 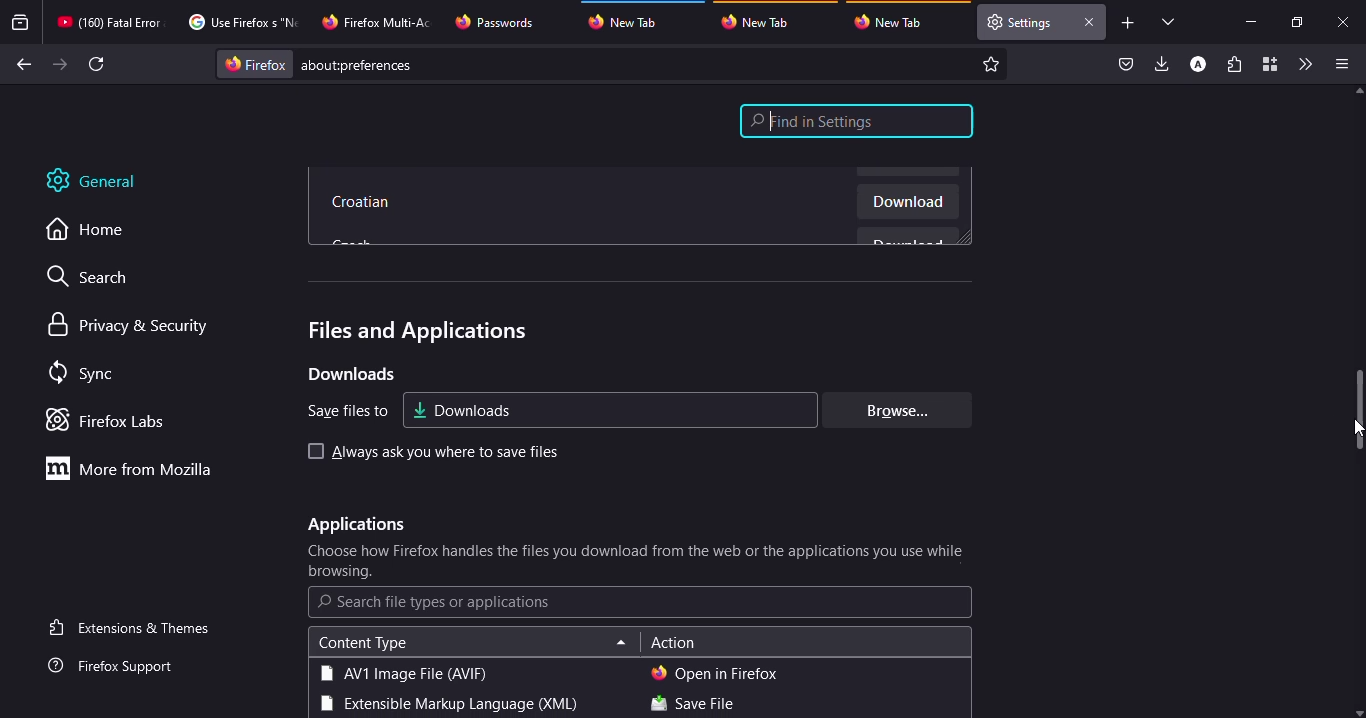 I want to click on search, so click(x=435, y=602).